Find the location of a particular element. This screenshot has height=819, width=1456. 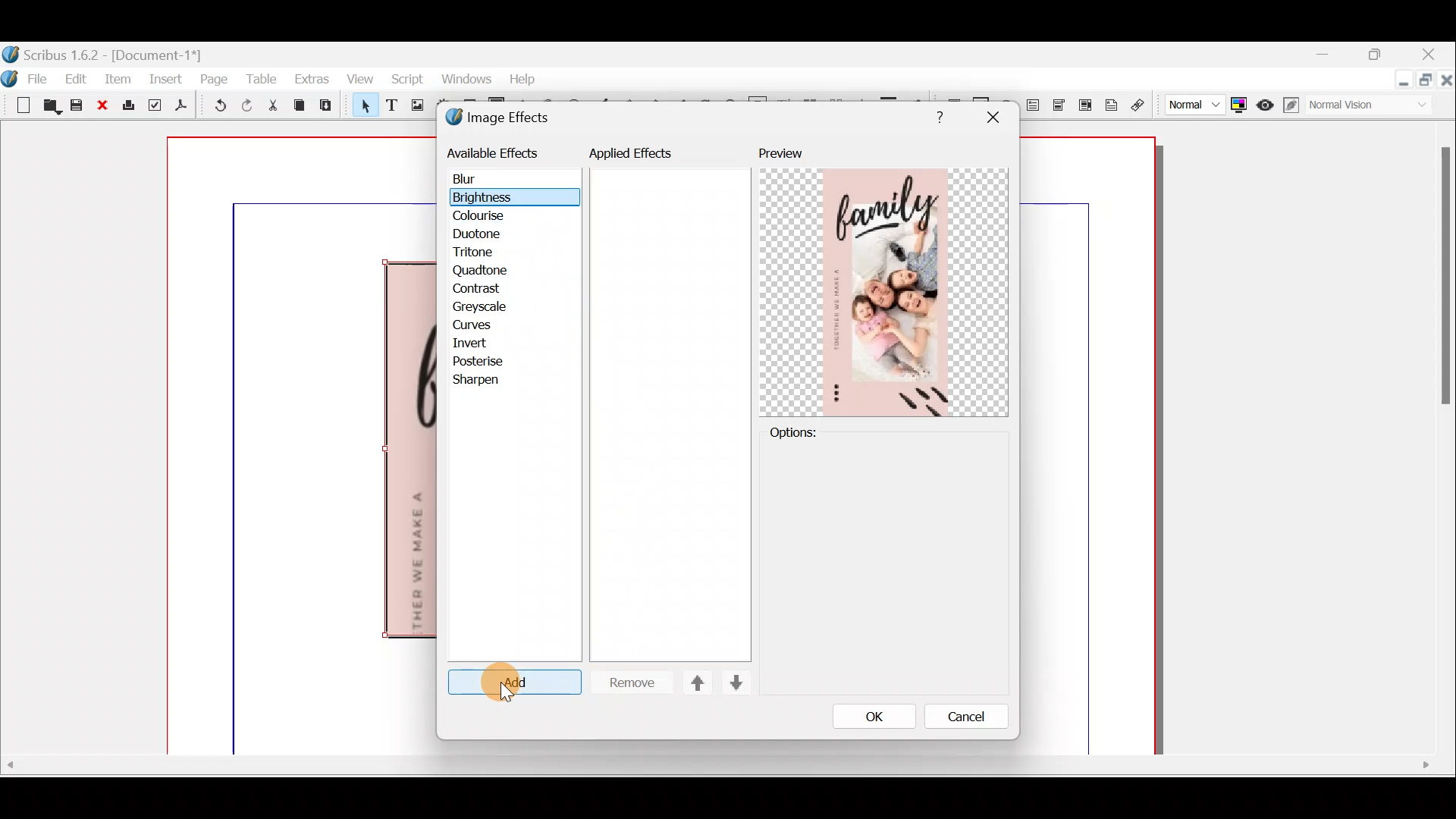

Maximise is located at coordinates (1427, 82).